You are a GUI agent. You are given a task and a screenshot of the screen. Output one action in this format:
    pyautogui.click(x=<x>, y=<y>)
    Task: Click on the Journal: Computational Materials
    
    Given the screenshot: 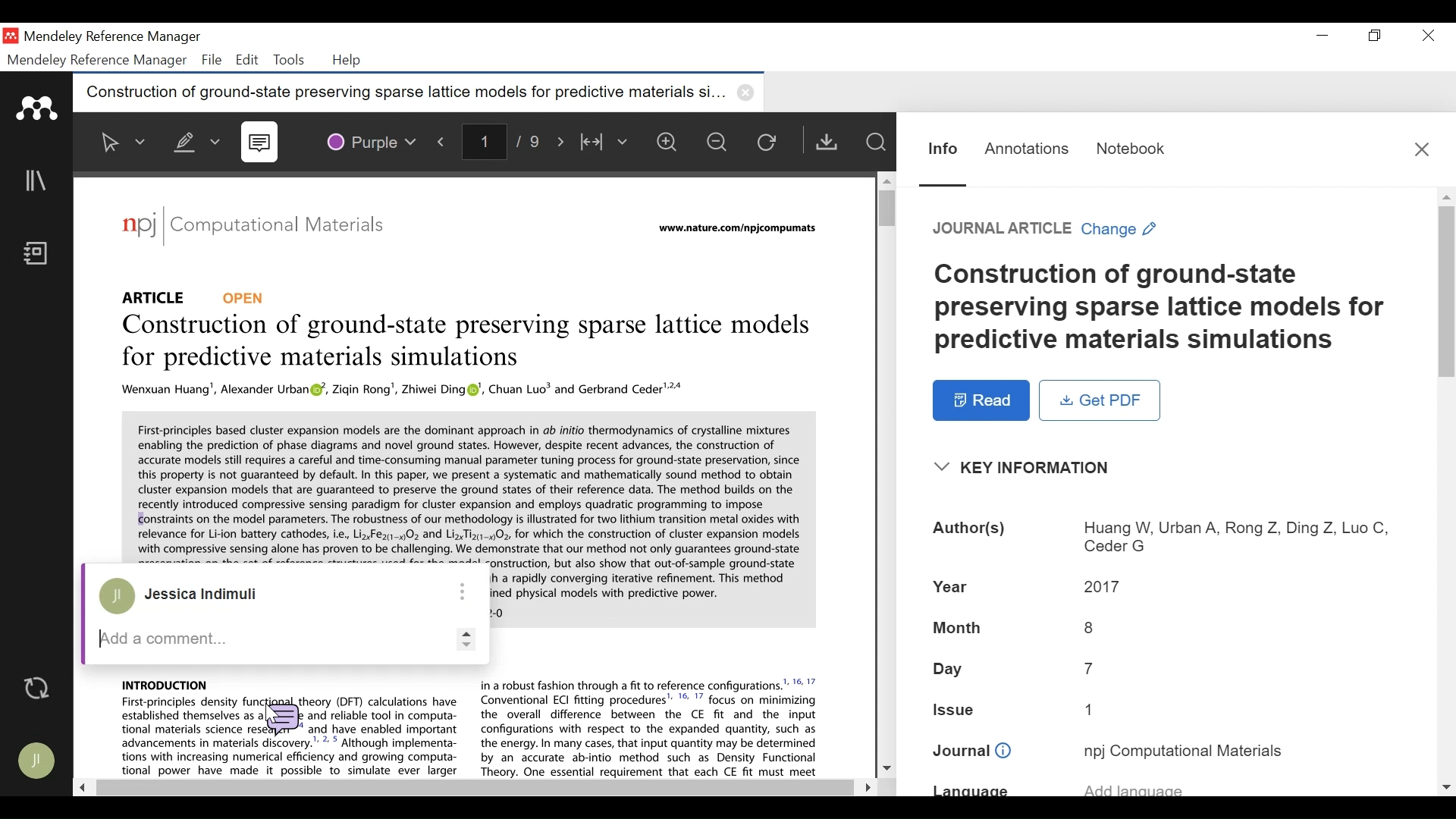 What is the action you would take?
    pyautogui.click(x=254, y=227)
    